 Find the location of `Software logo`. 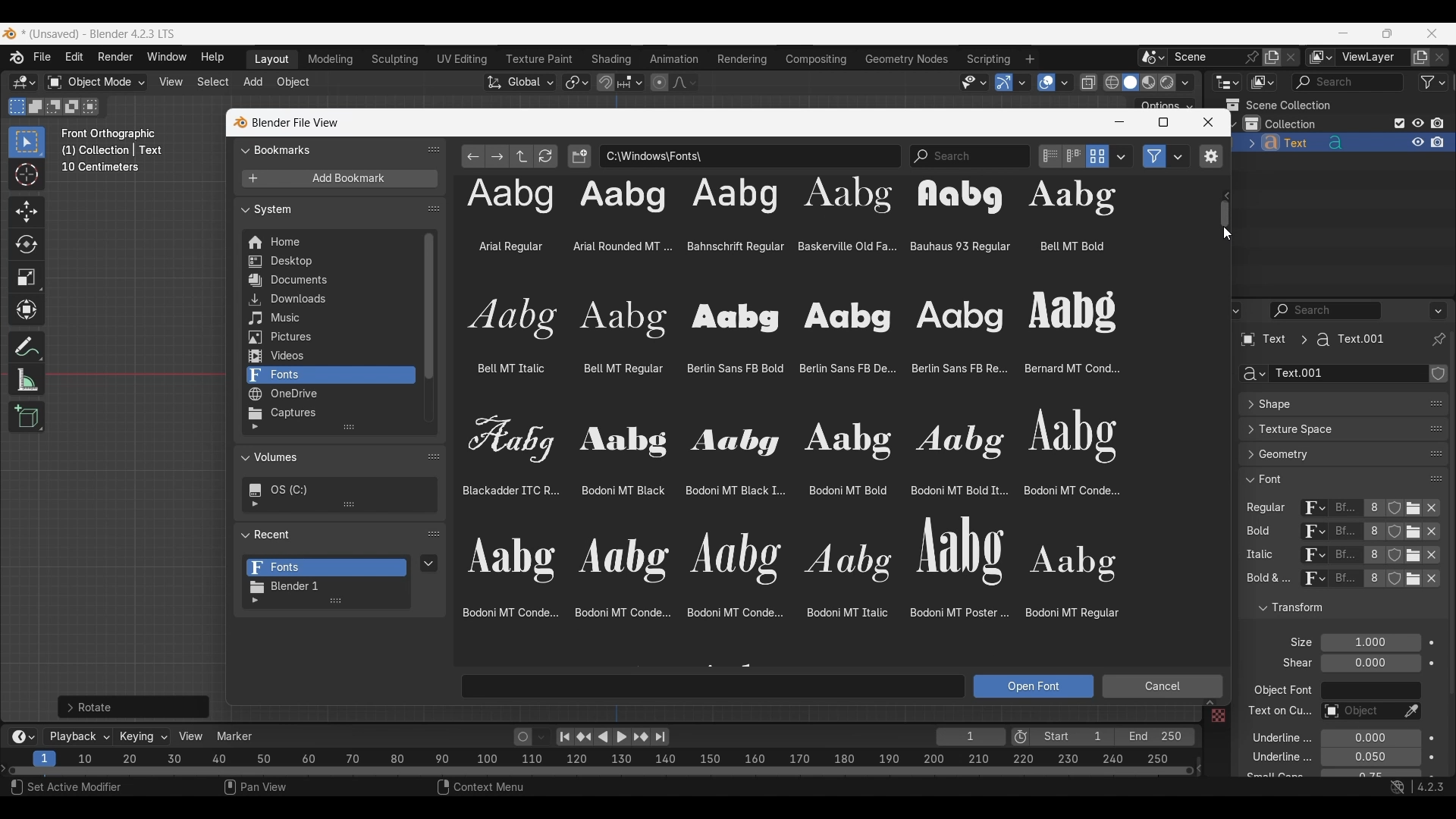

Software logo is located at coordinates (9, 33).